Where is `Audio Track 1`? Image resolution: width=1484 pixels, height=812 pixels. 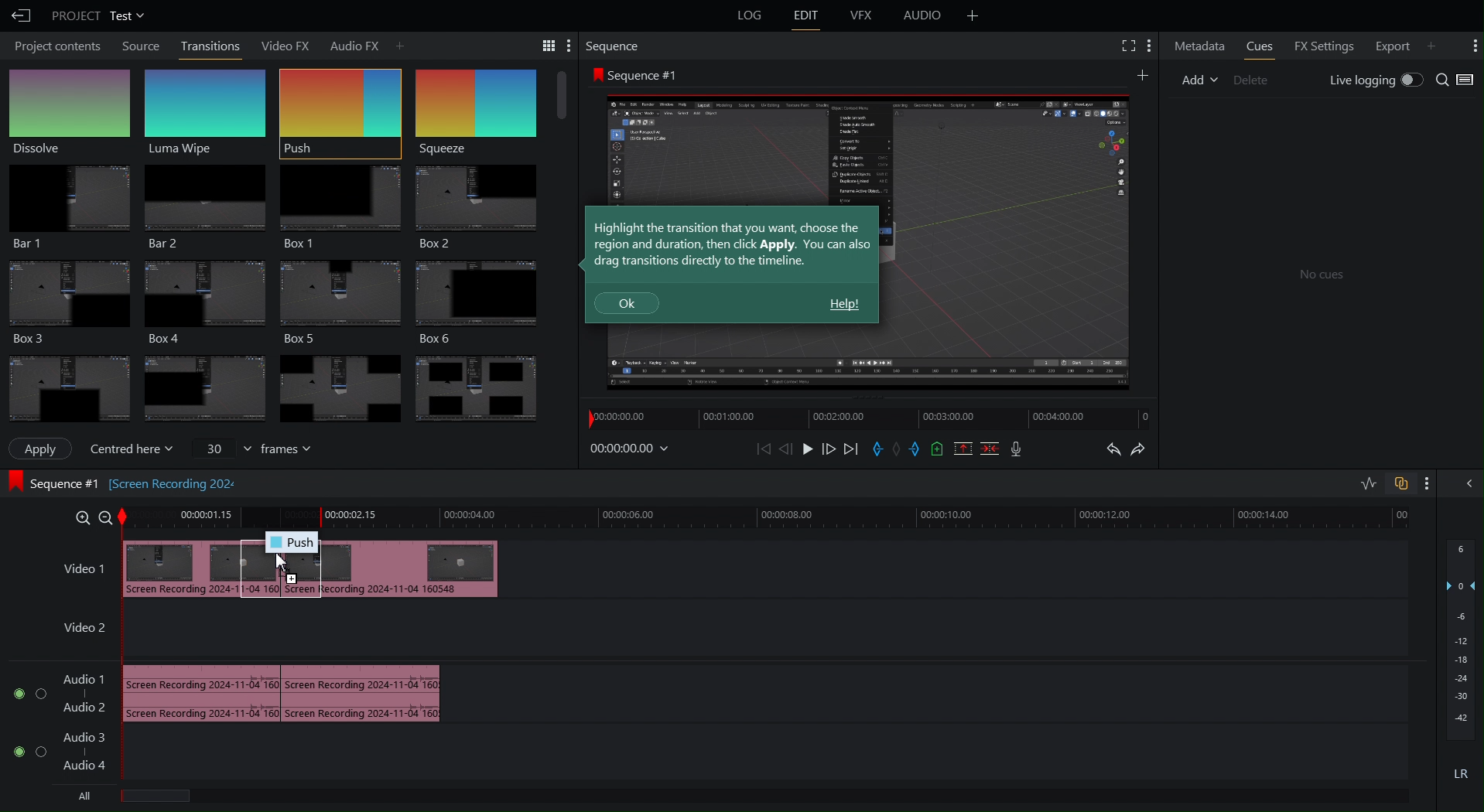
Audio Track 1 is located at coordinates (84, 676).